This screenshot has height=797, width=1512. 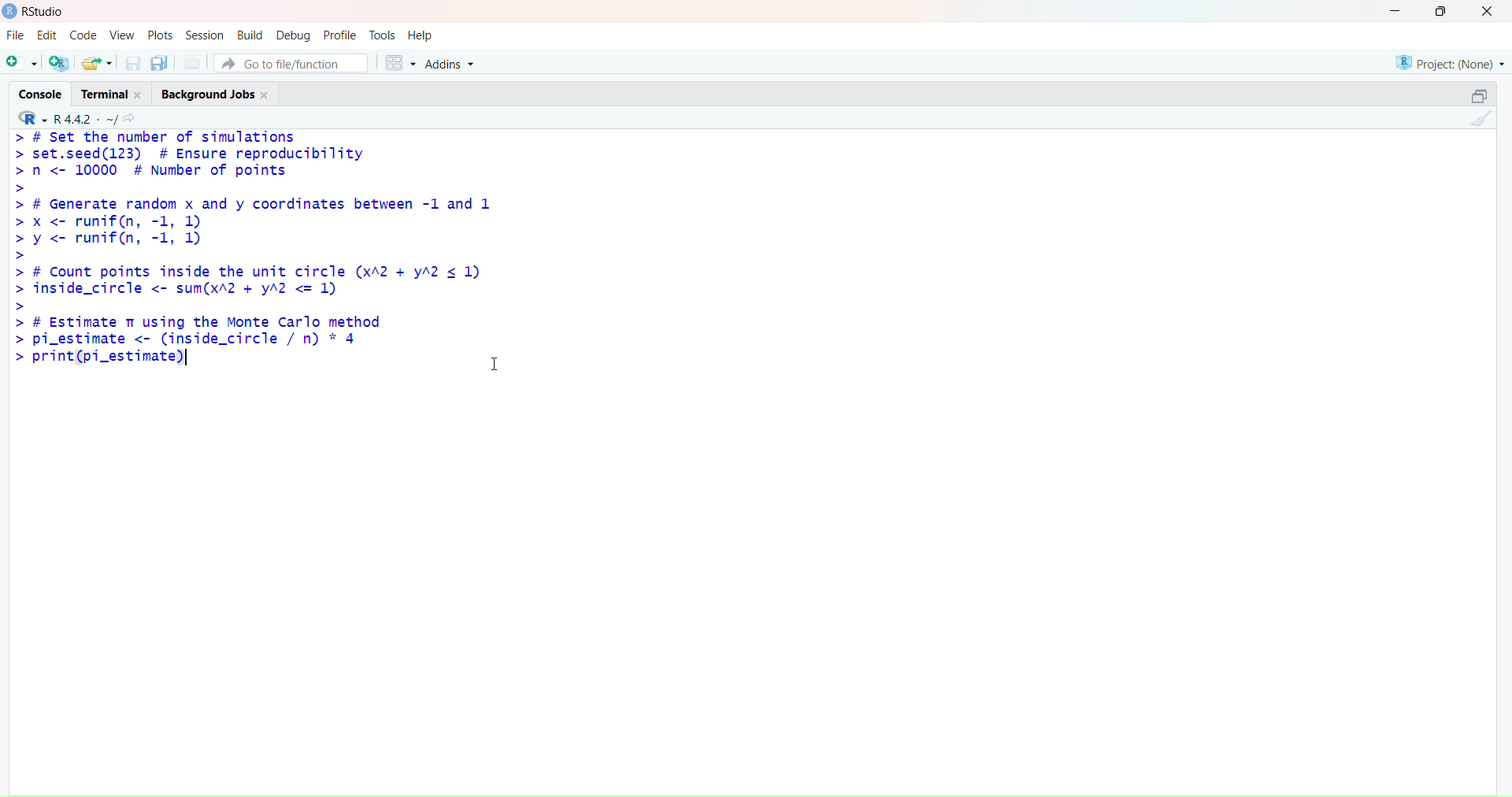 I want to click on RStudio, so click(x=39, y=13).